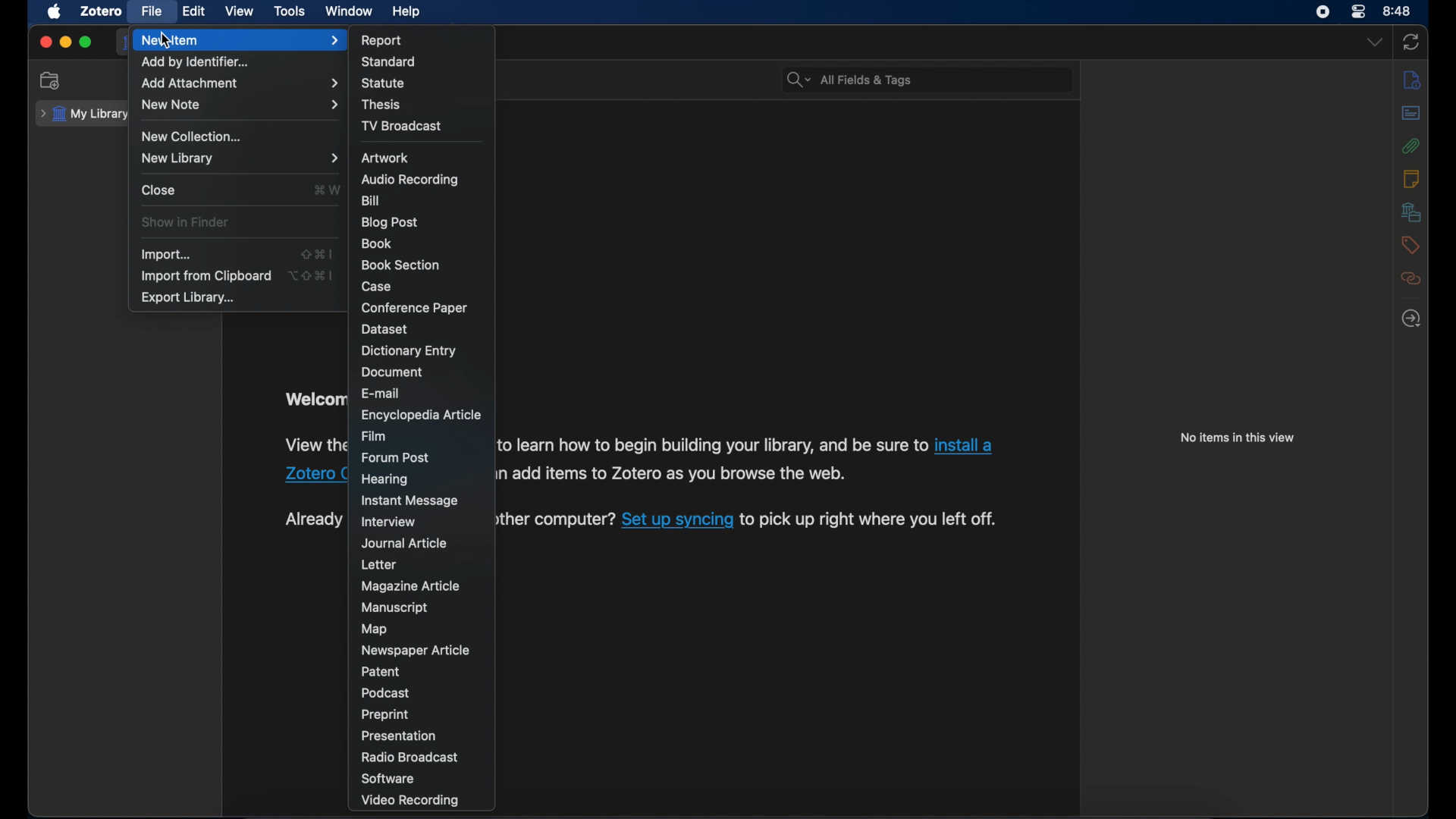  Describe the element at coordinates (378, 565) in the screenshot. I see `letter` at that location.